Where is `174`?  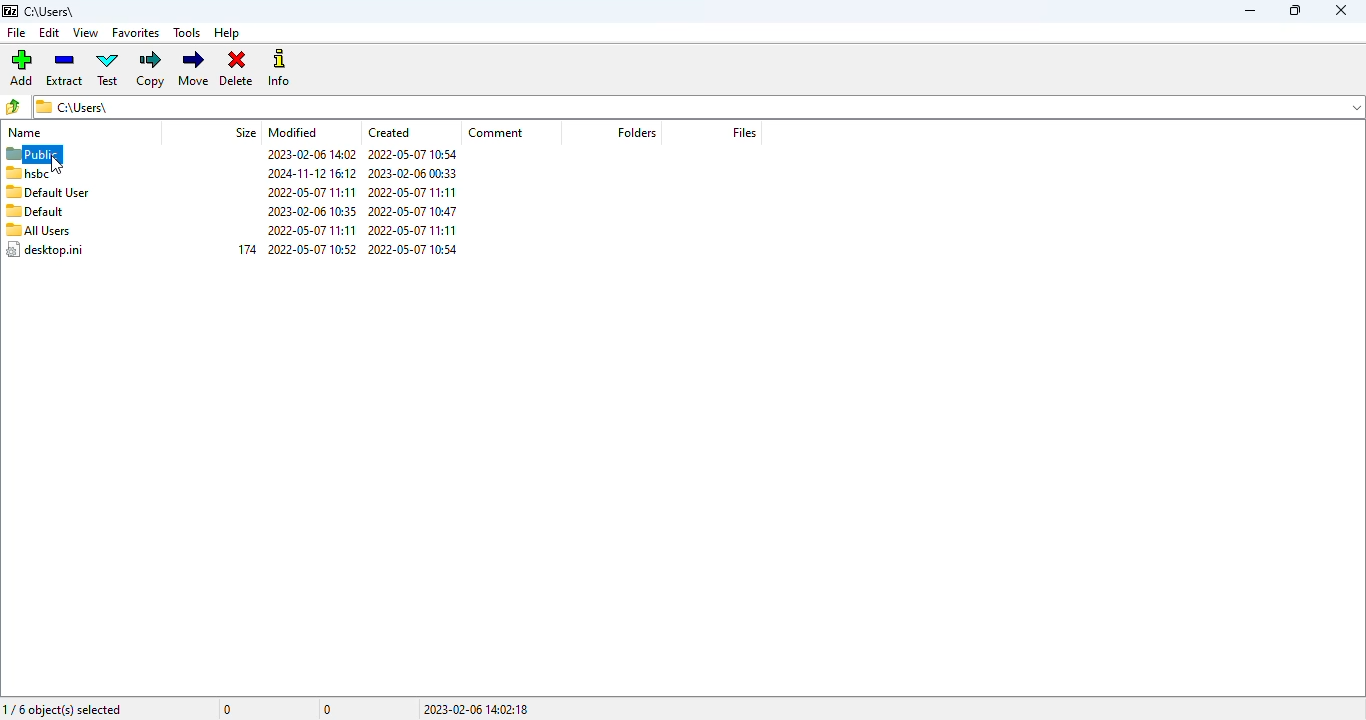
174 is located at coordinates (244, 250).